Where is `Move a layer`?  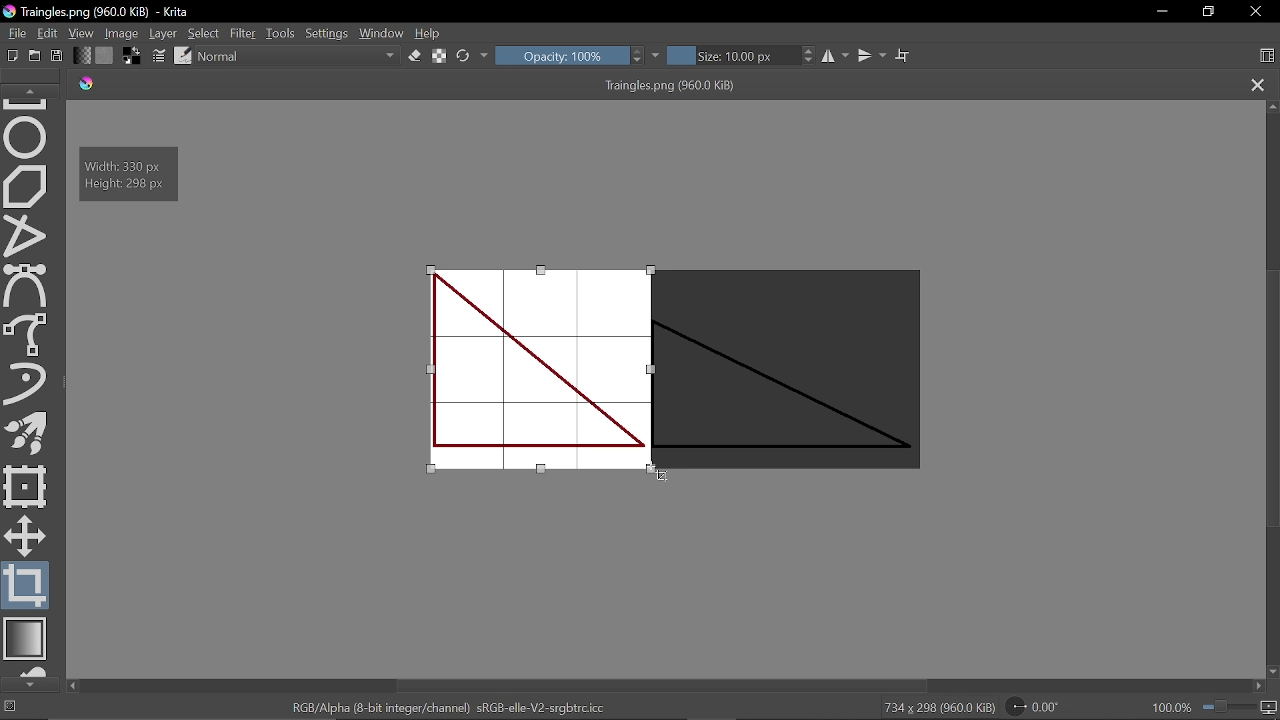 Move a layer is located at coordinates (23, 534).